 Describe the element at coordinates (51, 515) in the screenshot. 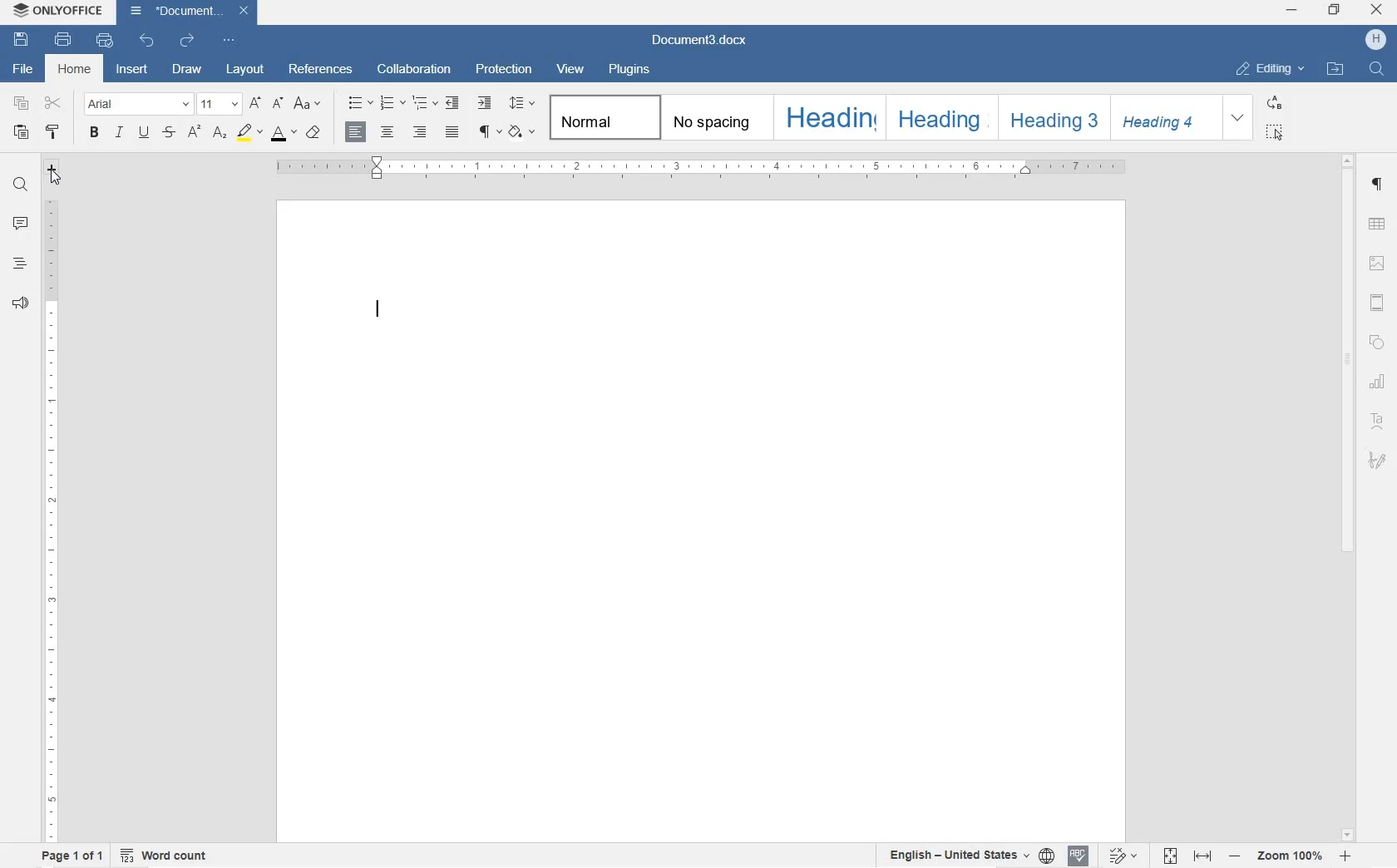

I see `RULER` at that location.